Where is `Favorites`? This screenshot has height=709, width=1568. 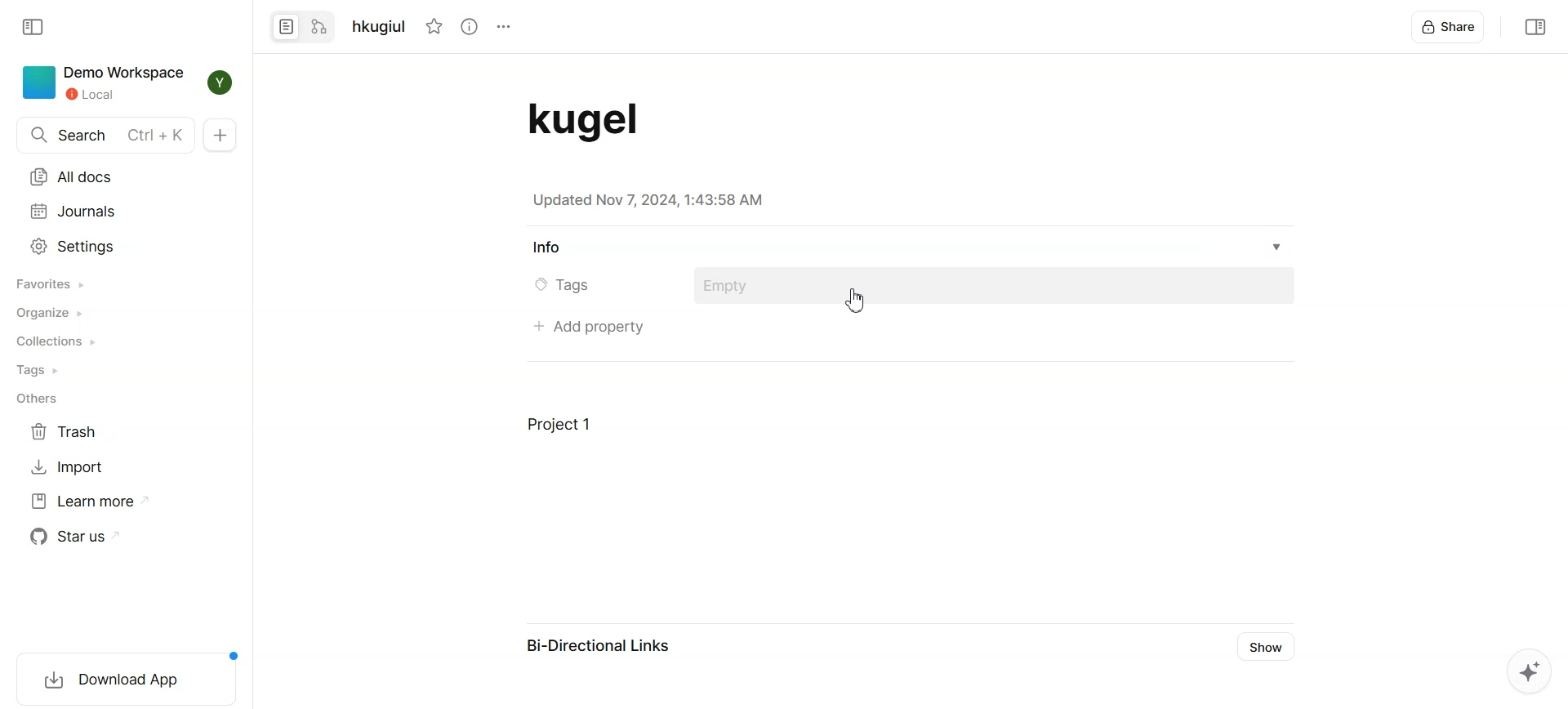 Favorites is located at coordinates (49, 284).